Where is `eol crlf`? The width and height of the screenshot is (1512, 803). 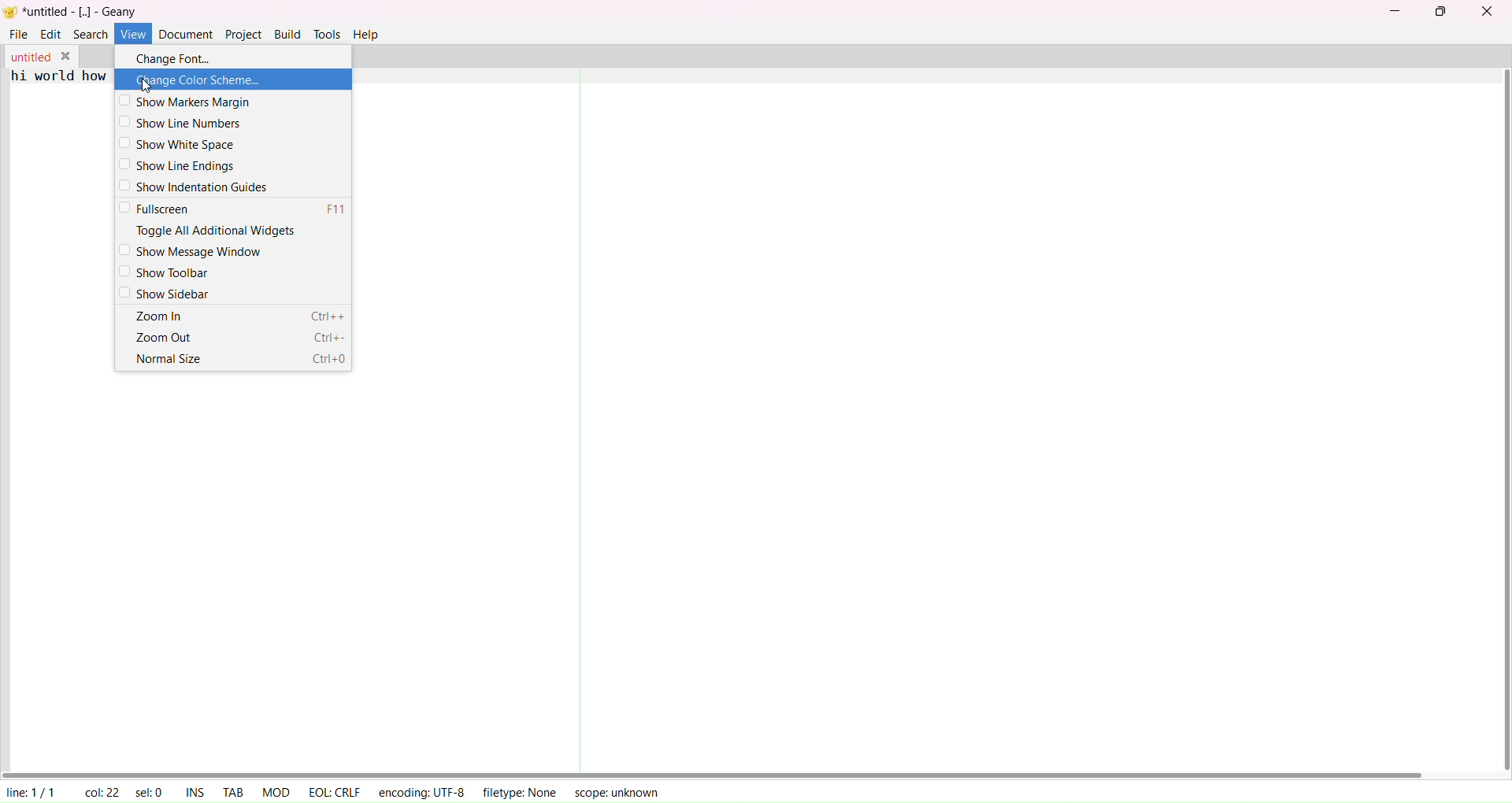 eol crlf is located at coordinates (331, 791).